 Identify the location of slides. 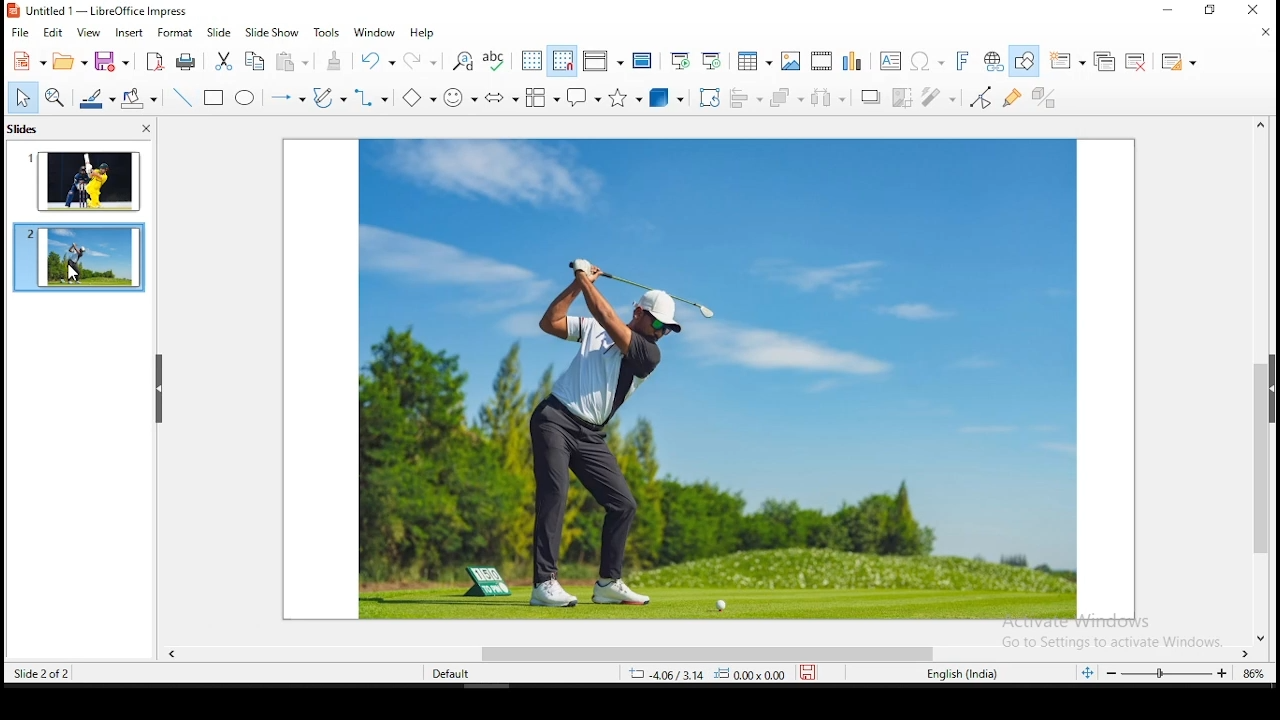
(23, 128).